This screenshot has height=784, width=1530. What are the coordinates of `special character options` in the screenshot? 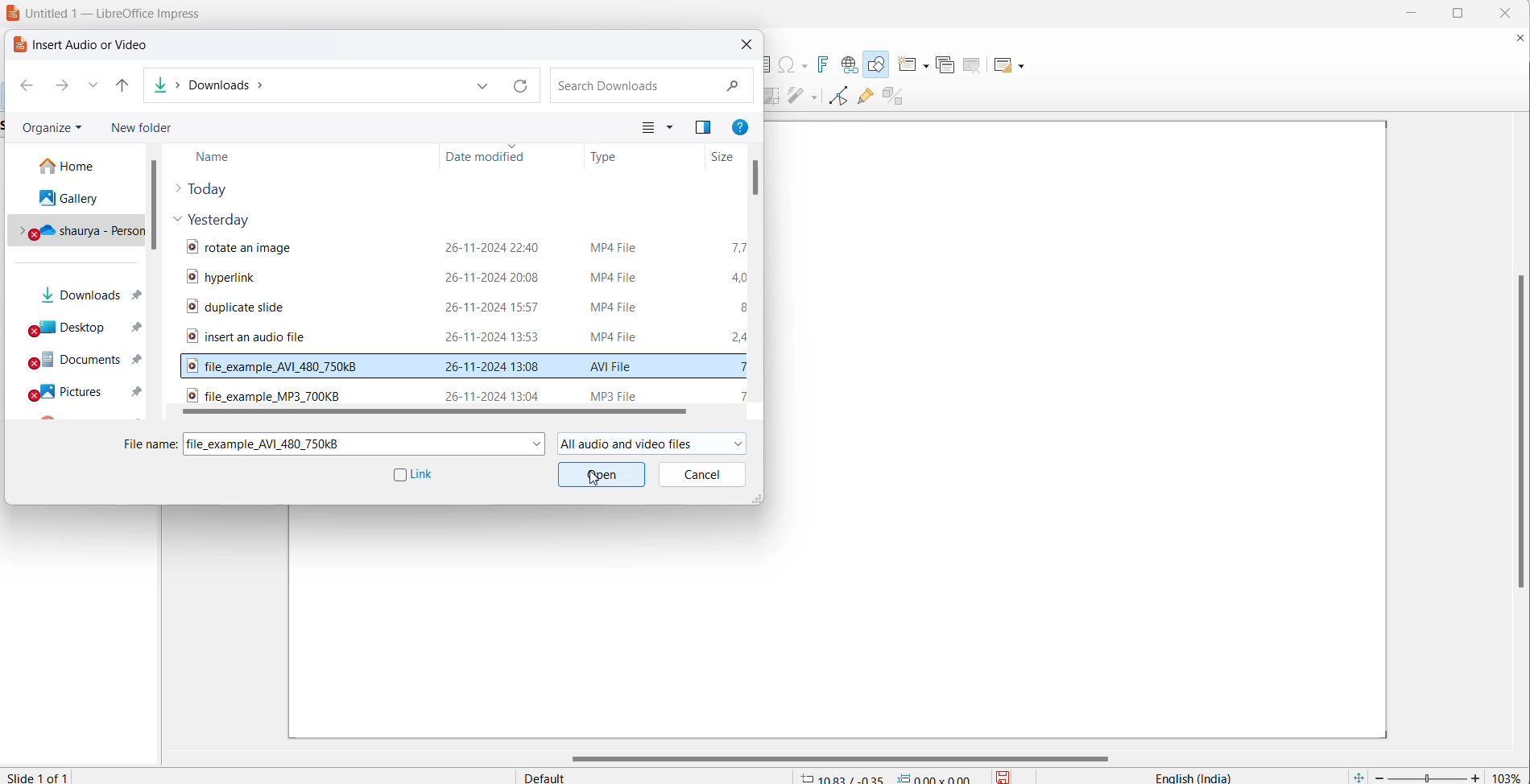 It's located at (806, 65).